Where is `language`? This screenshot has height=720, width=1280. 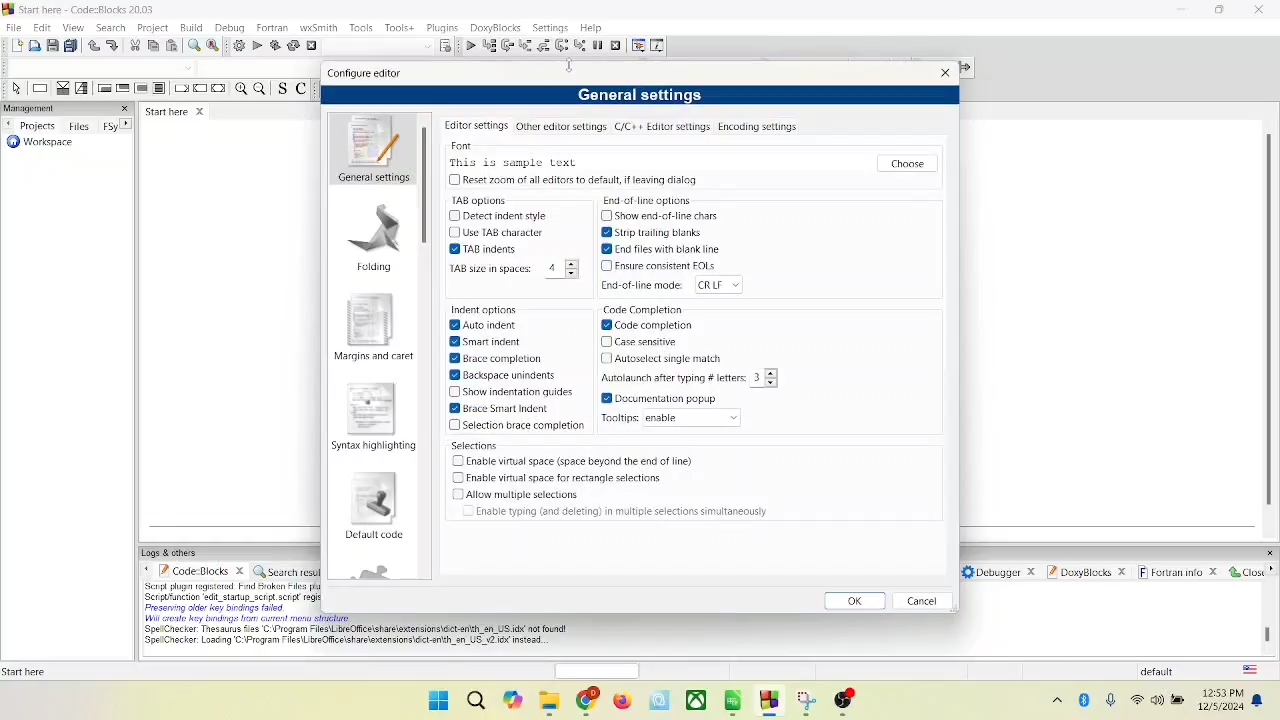
language is located at coordinates (1249, 669).